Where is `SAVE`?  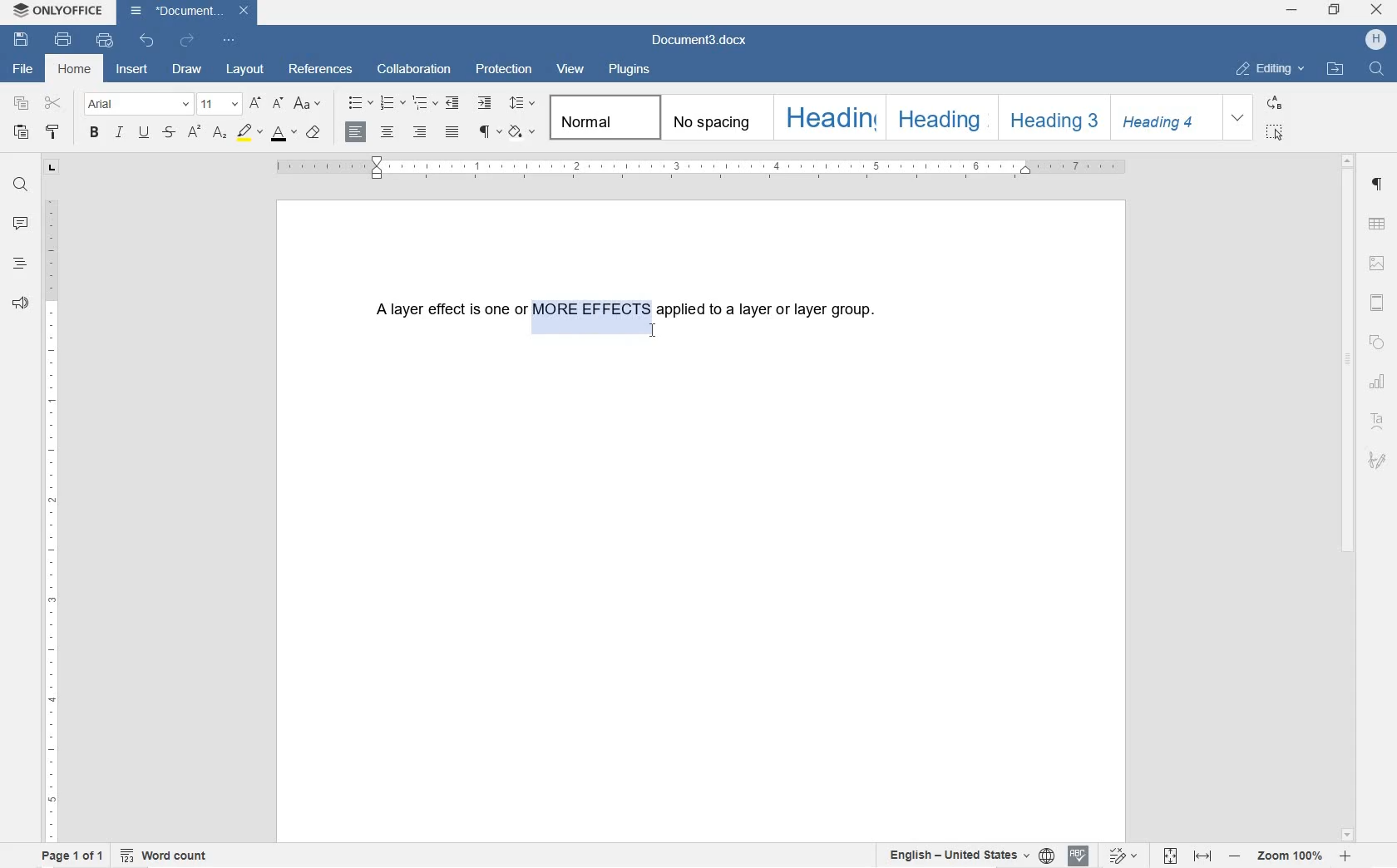 SAVE is located at coordinates (23, 41).